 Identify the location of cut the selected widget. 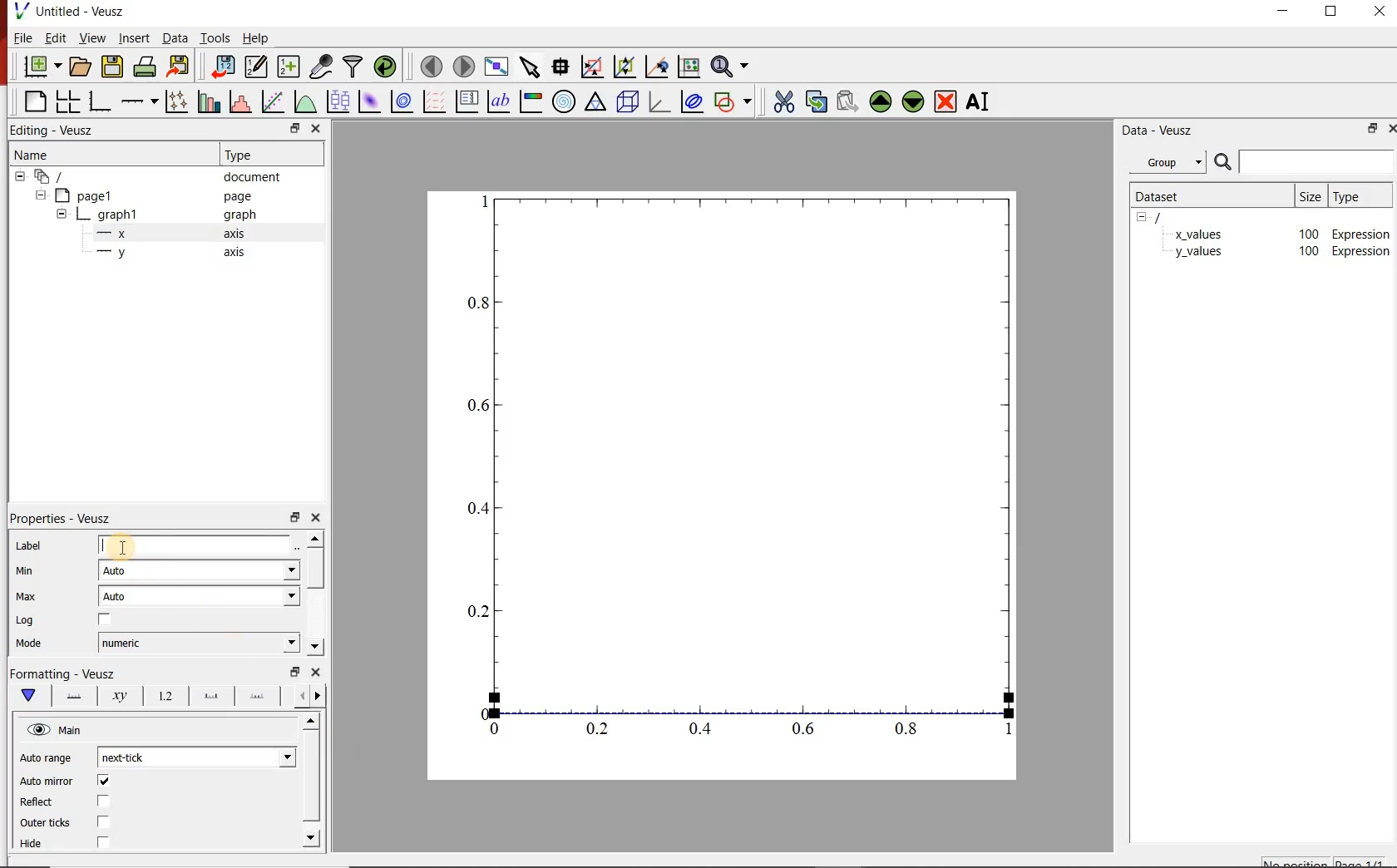
(785, 103).